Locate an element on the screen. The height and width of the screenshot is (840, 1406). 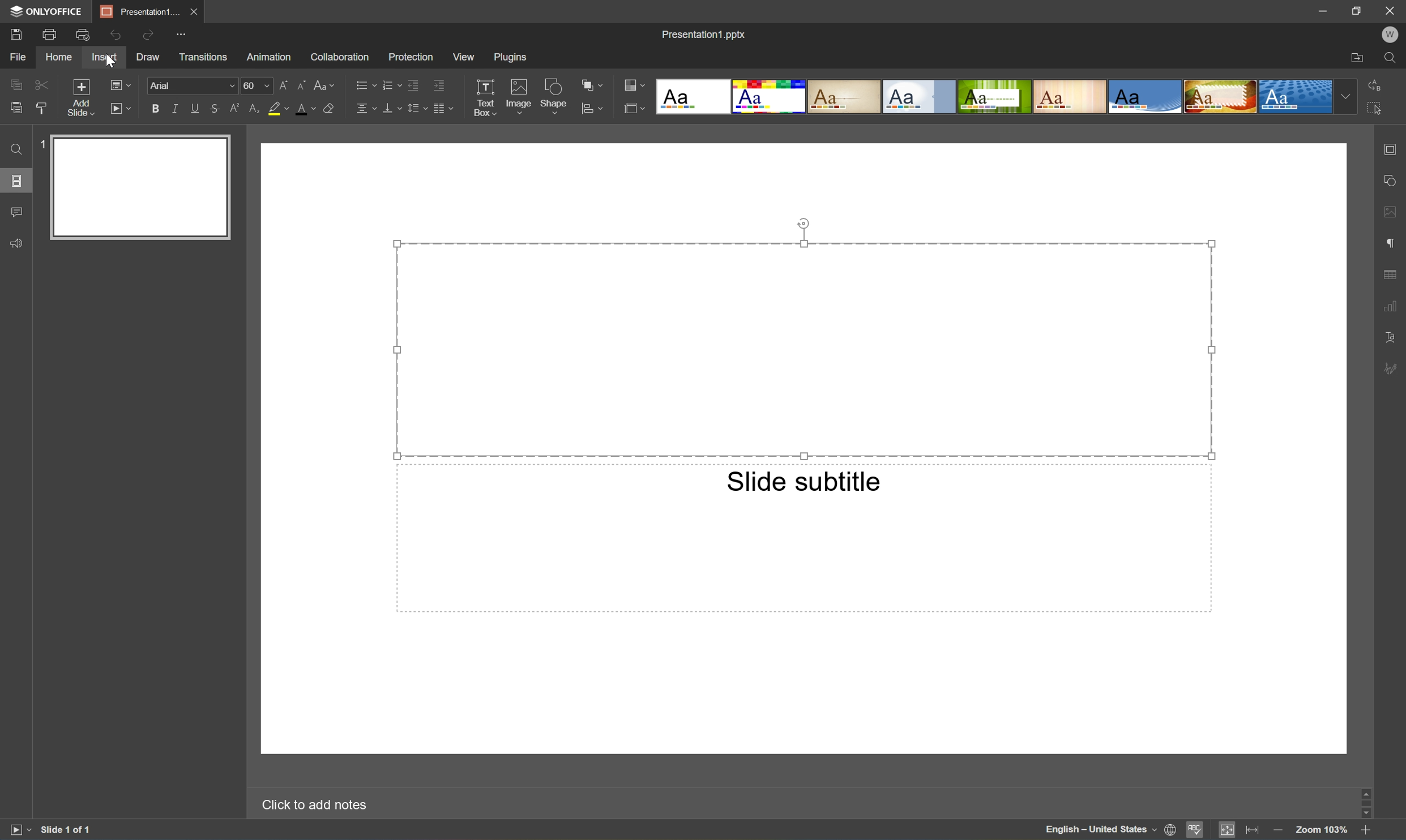
Insert columns is located at coordinates (443, 108).